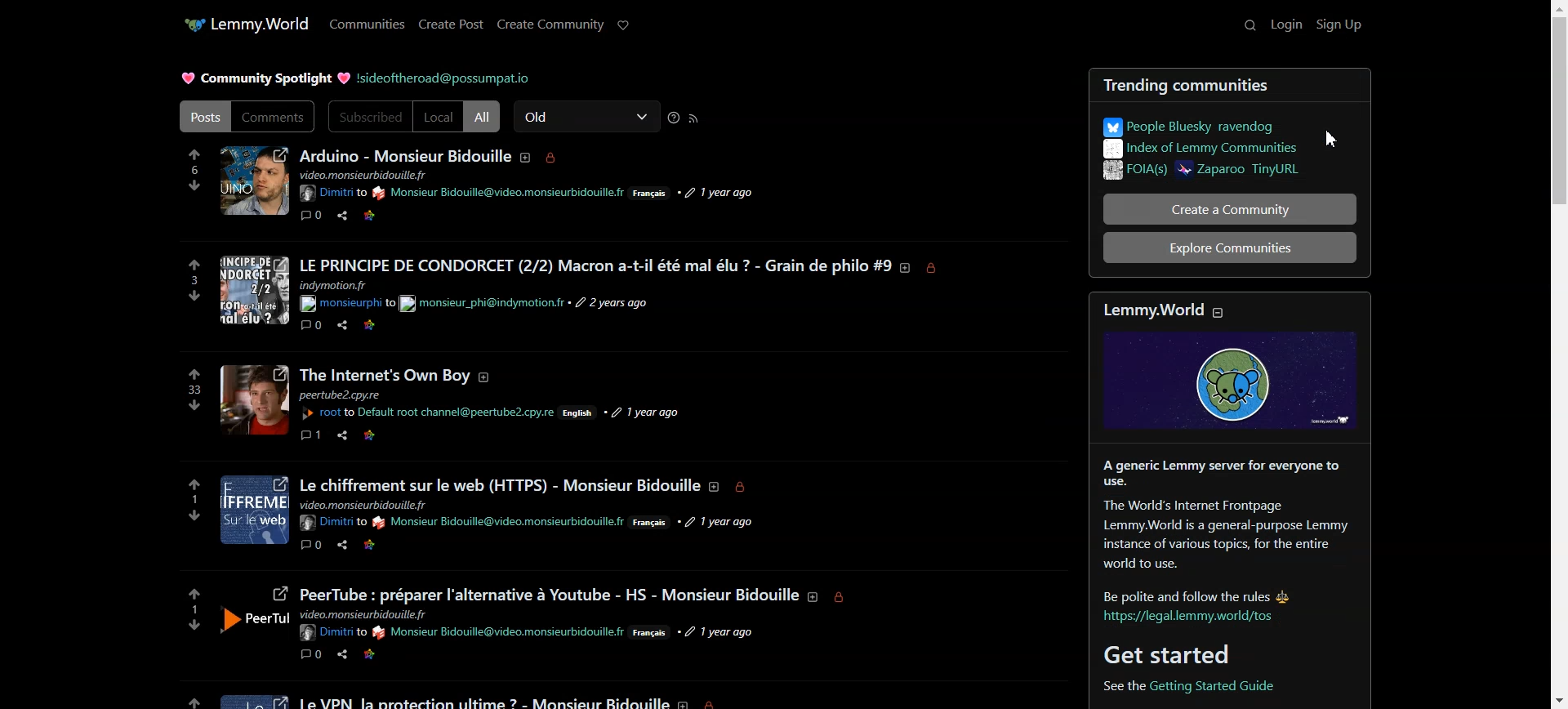  Describe the element at coordinates (646, 406) in the screenshot. I see `1 year ago` at that location.